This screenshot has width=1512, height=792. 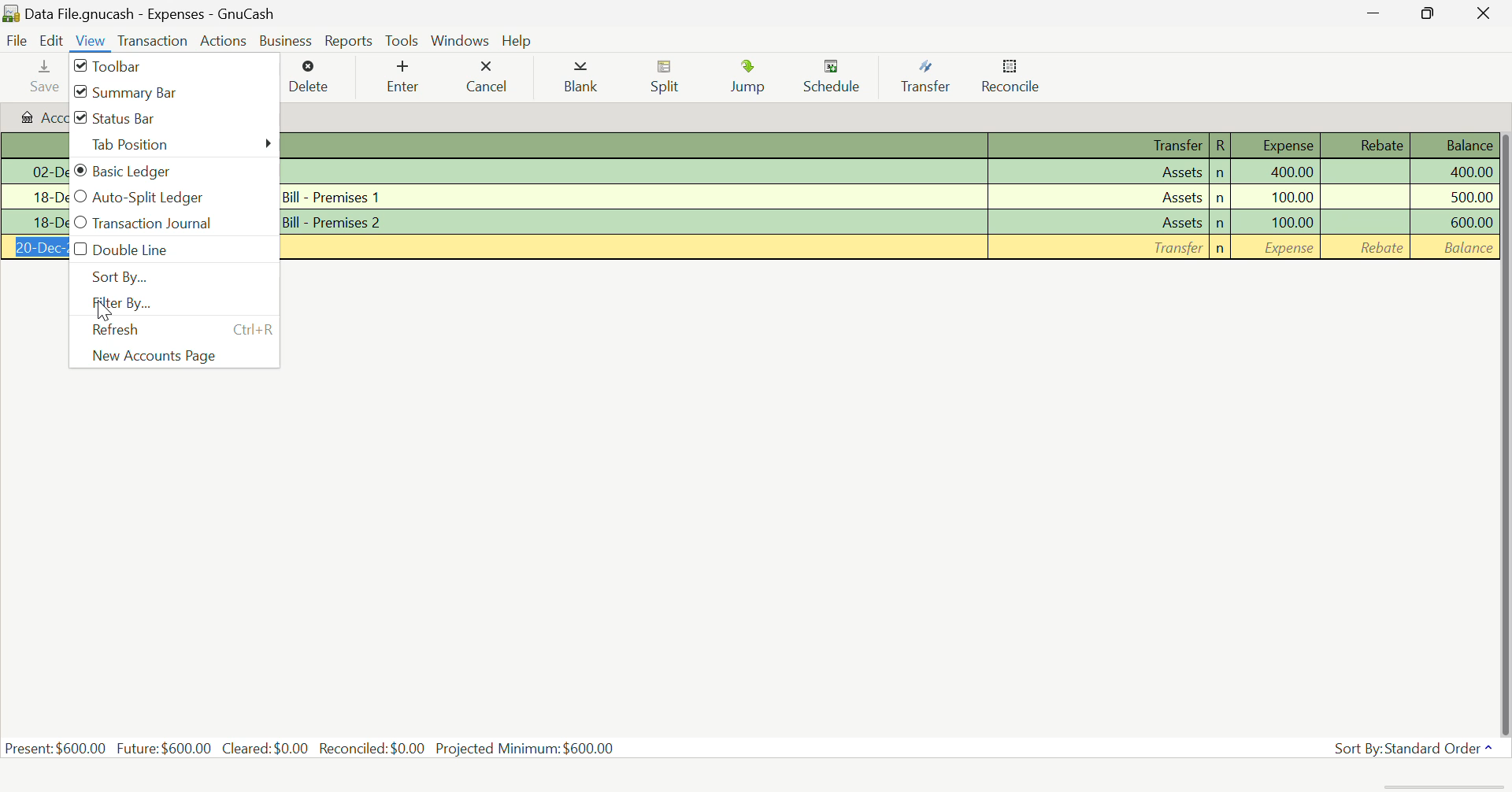 I want to click on Rebate, so click(x=1365, y=173).